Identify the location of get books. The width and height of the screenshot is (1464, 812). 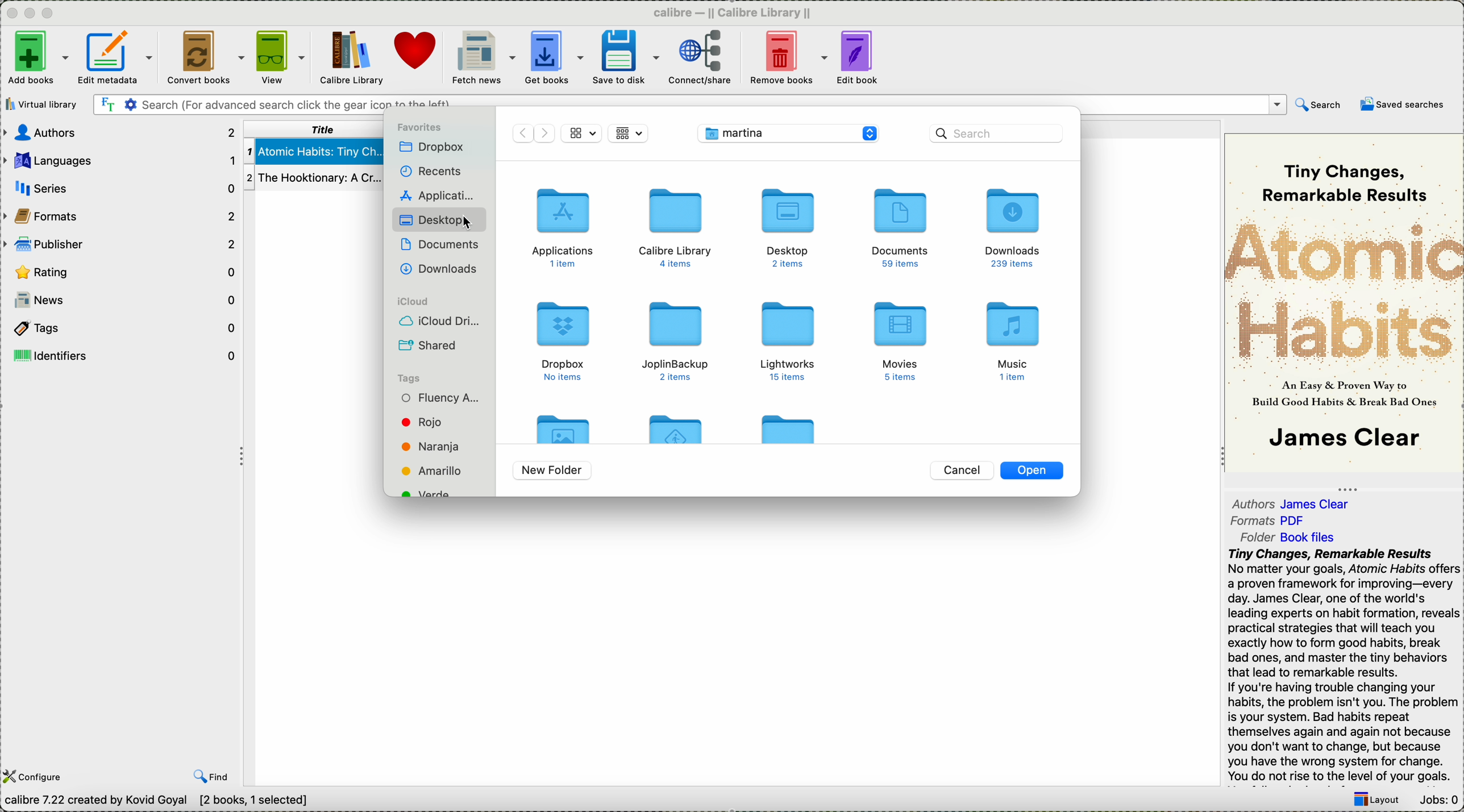
(552, 57).